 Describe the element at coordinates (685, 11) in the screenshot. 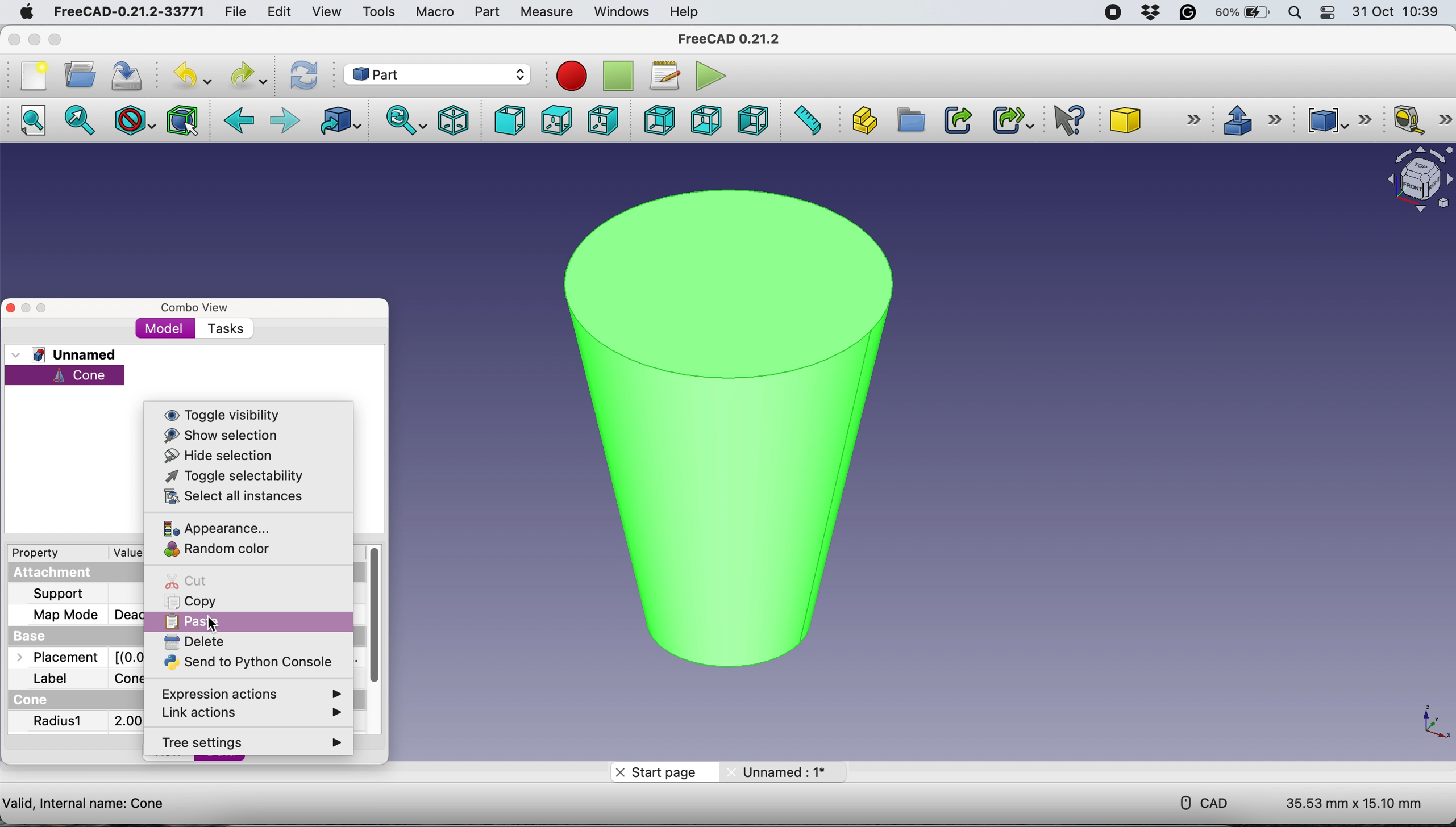

I see `help` at that location.